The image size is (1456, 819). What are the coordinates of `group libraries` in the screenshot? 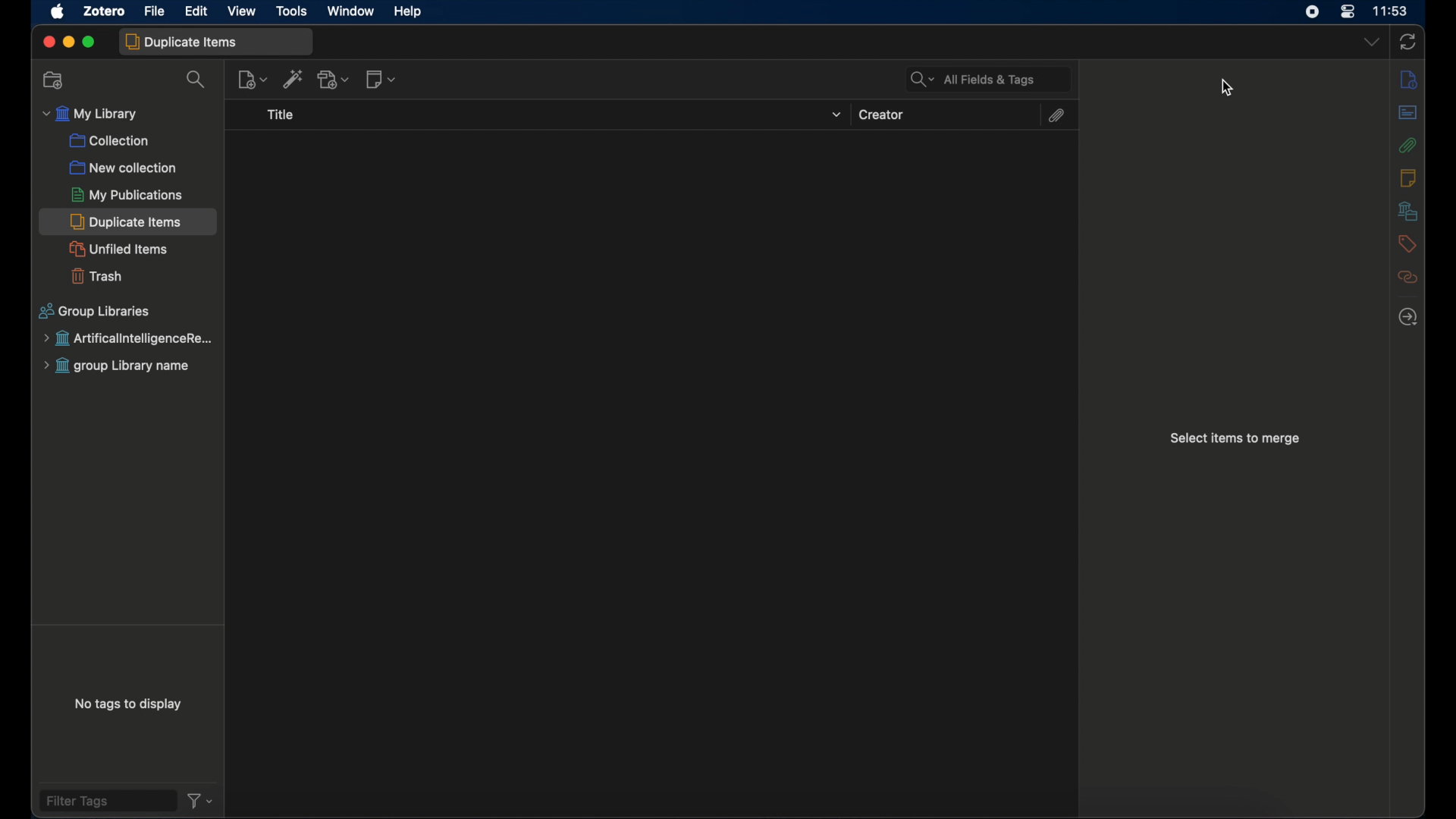 It's located at (96, 311).